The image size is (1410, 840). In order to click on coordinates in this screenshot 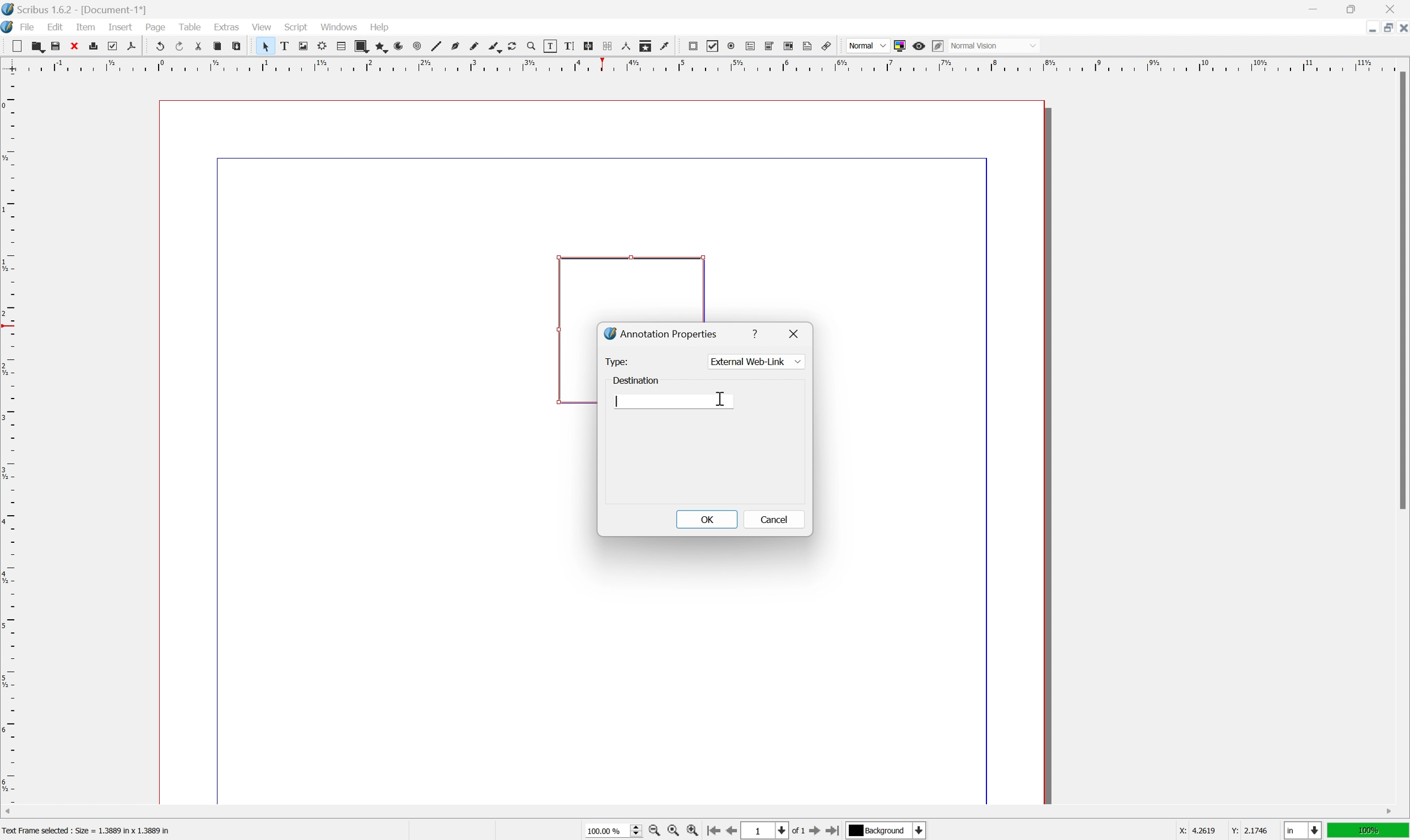, I will do `click(1225, 831)`.